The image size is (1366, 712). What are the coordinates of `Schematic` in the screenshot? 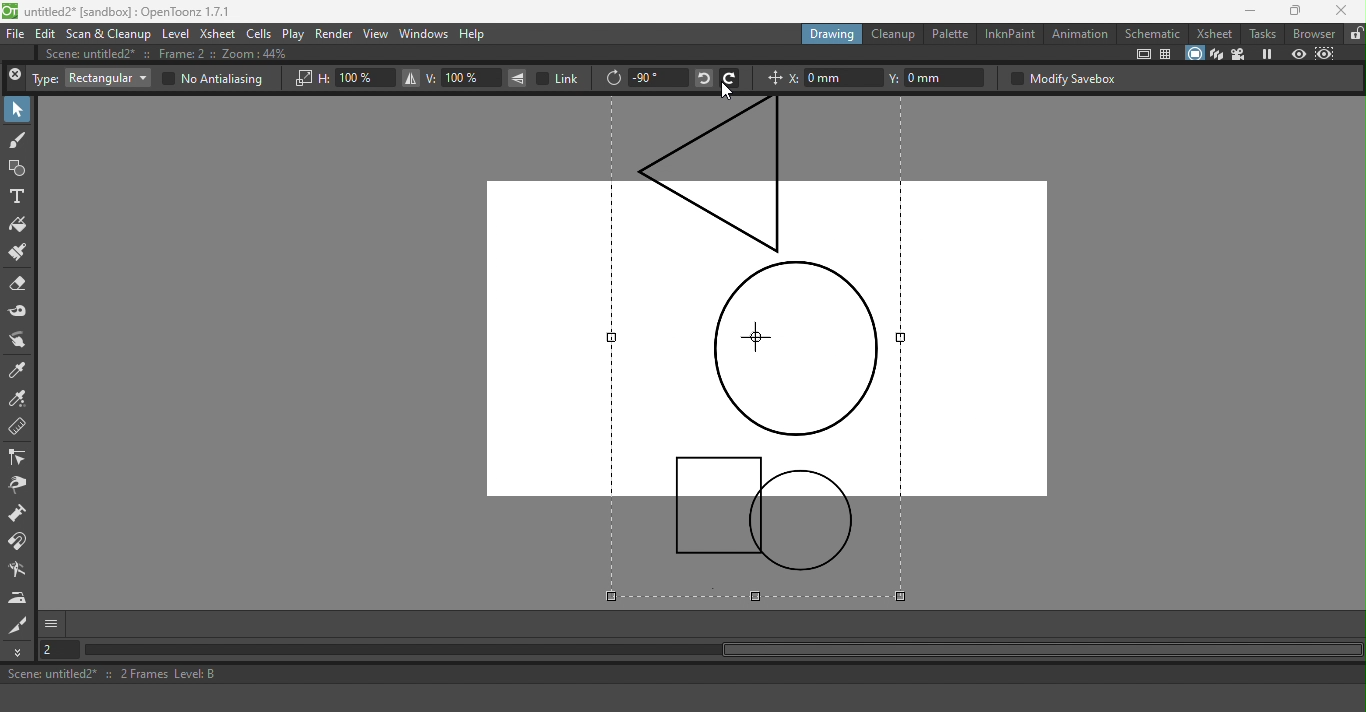 It's located at (1154, 32).